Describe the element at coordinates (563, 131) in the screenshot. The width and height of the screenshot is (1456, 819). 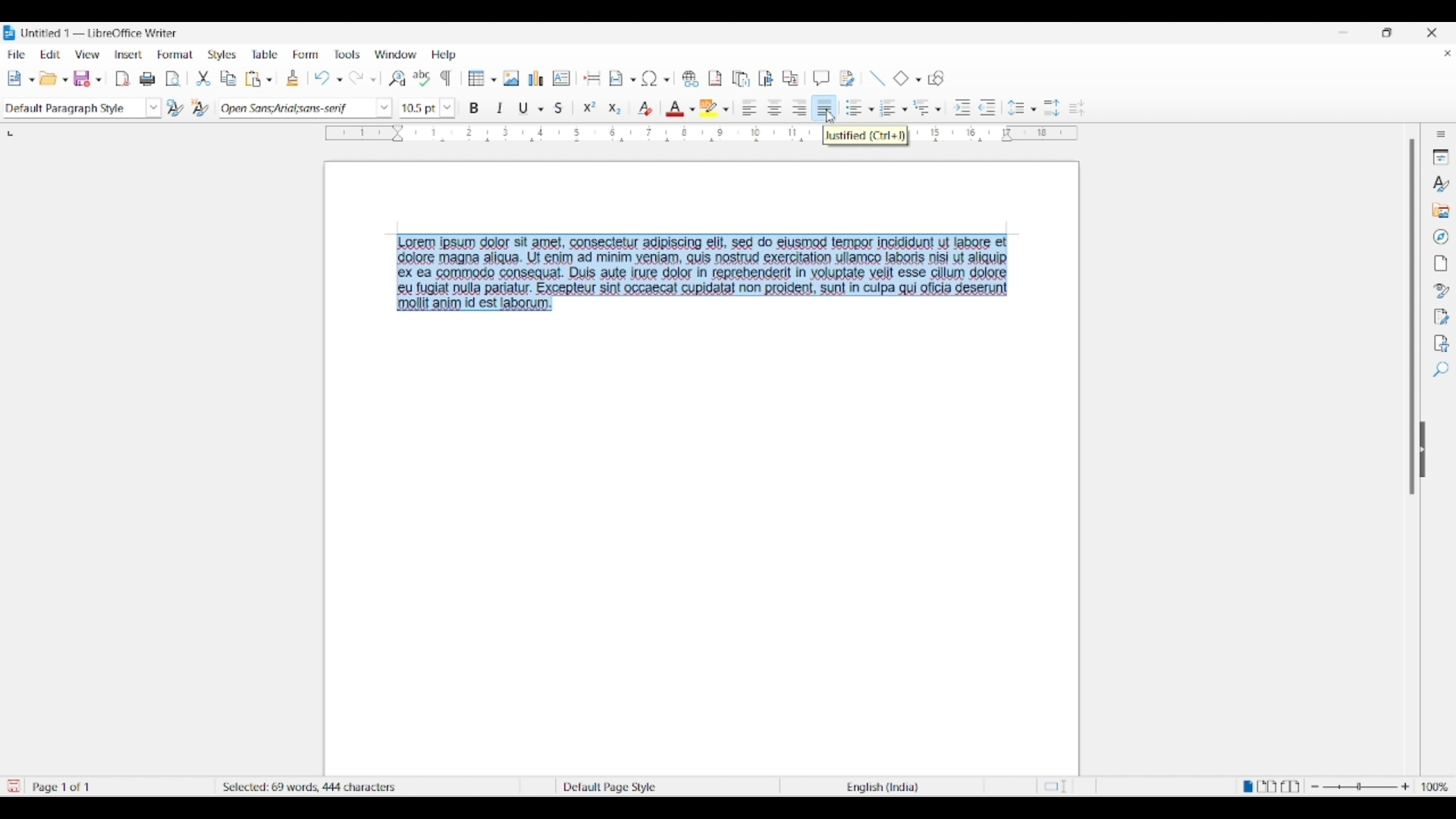
I see `Horizontal ruler` at that location.